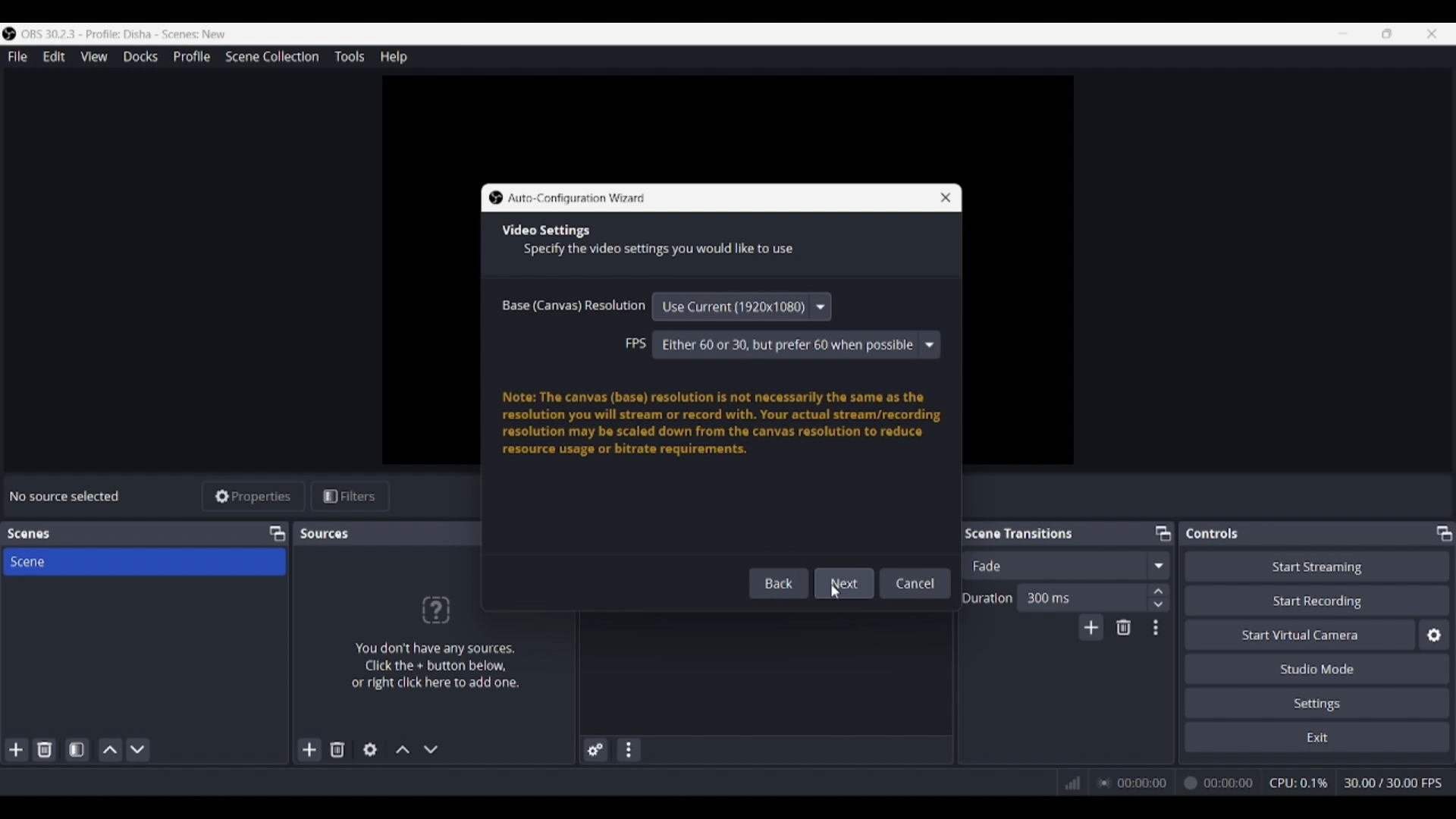 The width and height of the screenshot is (1456, 819). What do you see at coordinates (839, 593) in the screenshot?
I see `Cursor` at bounding box center [839, 593].